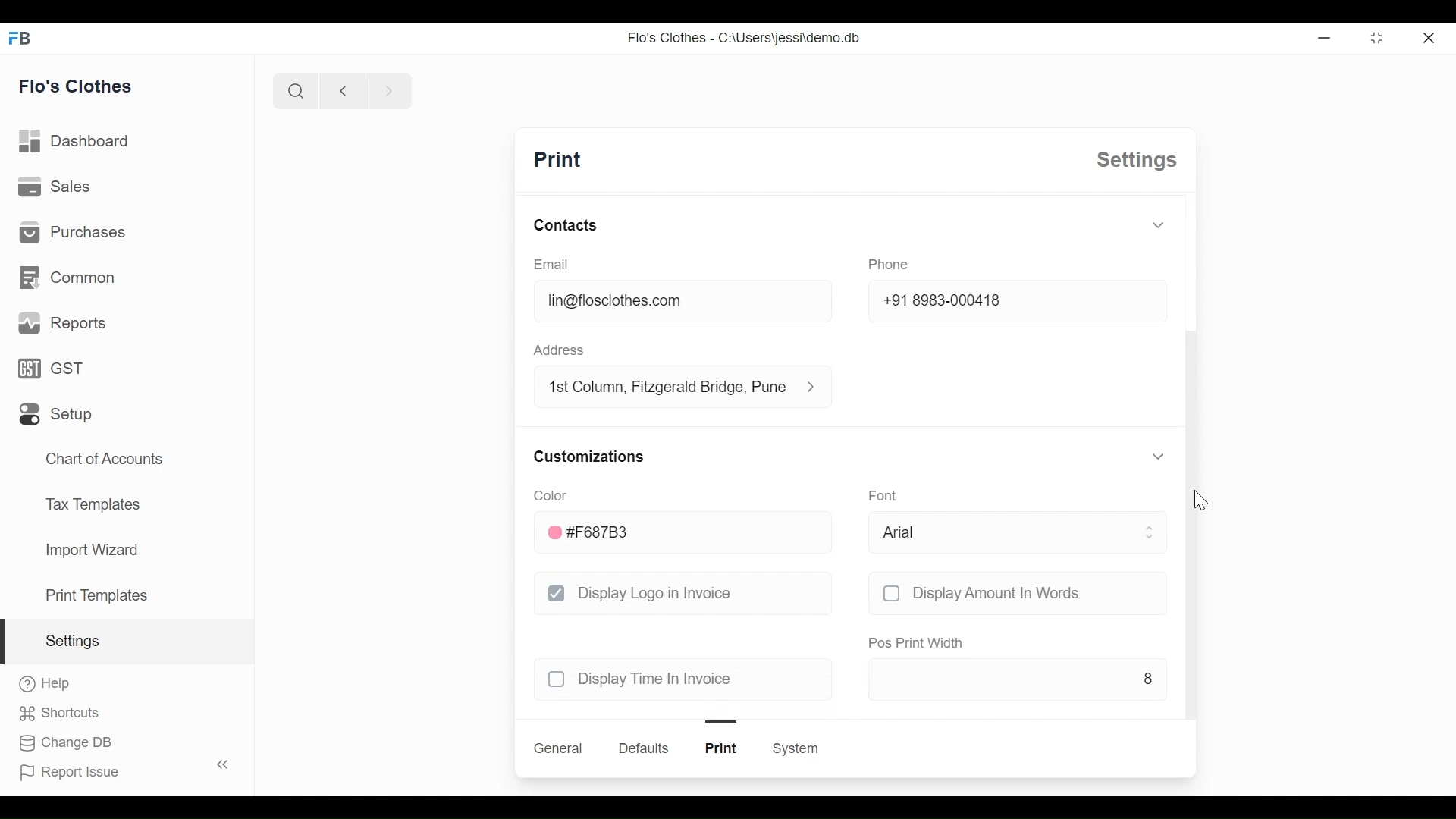  I want to click on settings, so click(1137, 160).